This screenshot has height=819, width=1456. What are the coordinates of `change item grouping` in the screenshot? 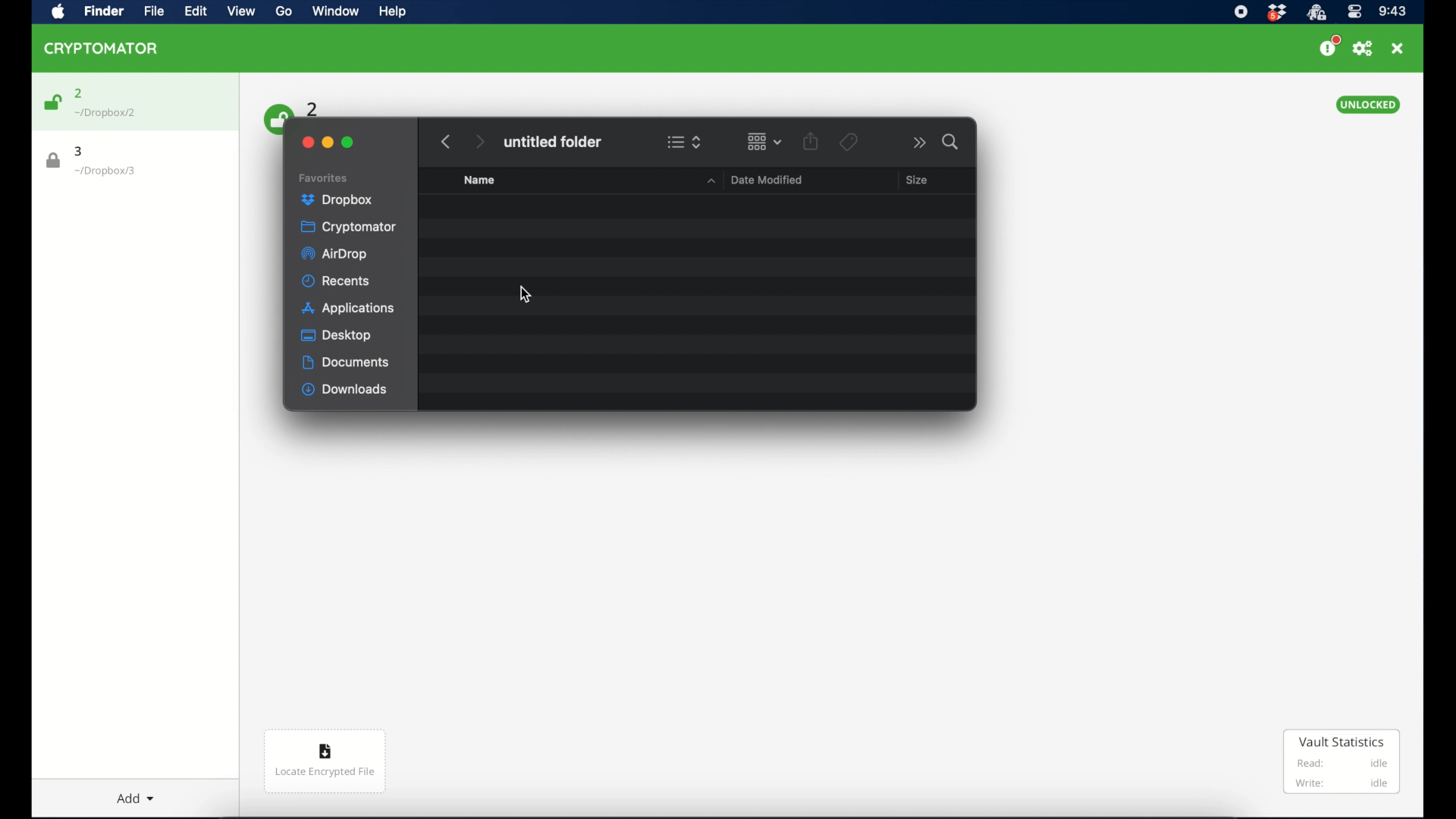 It's located at (765, 141).